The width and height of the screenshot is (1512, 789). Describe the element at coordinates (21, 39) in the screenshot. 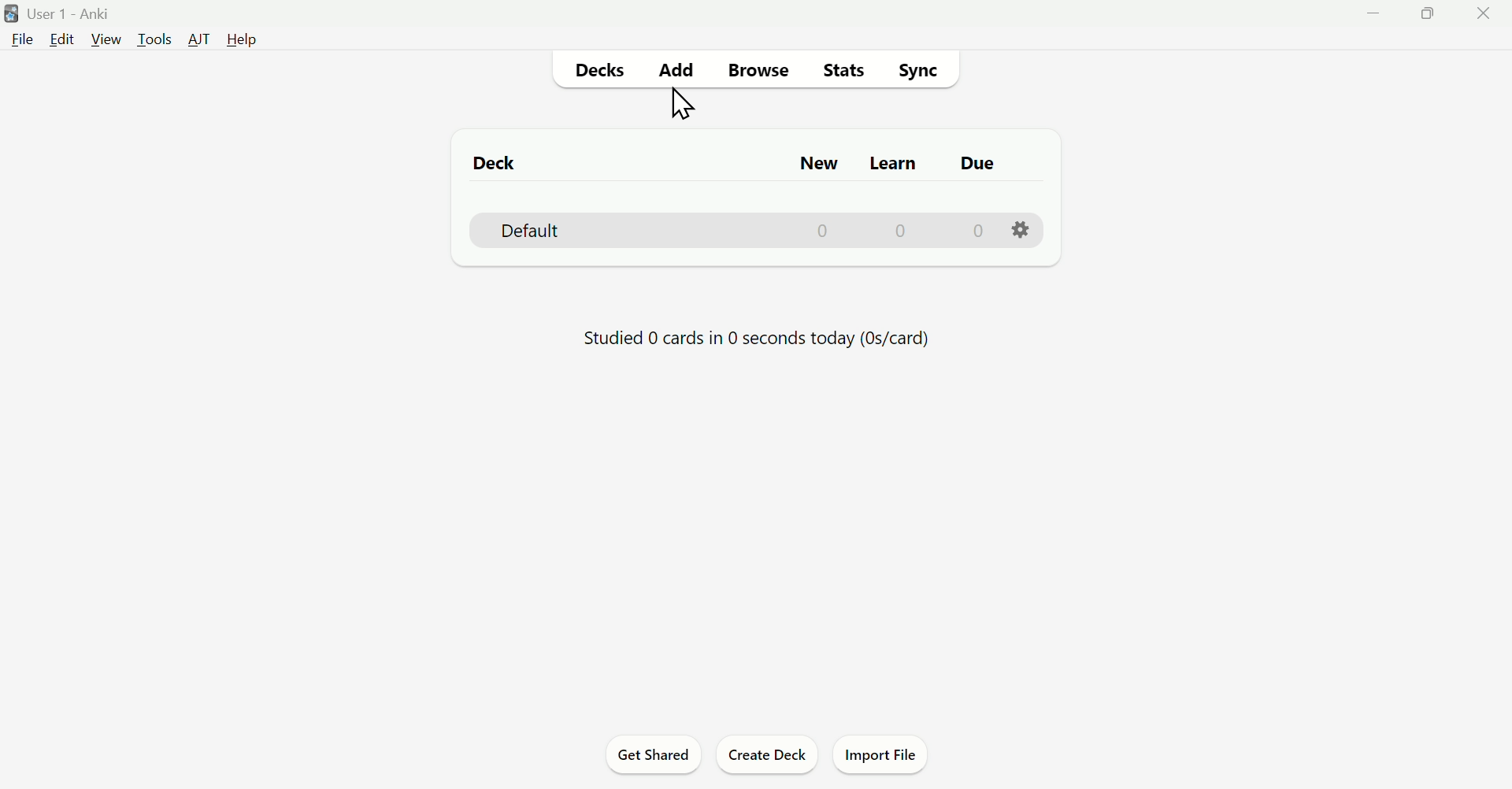

I see `File` at that location.